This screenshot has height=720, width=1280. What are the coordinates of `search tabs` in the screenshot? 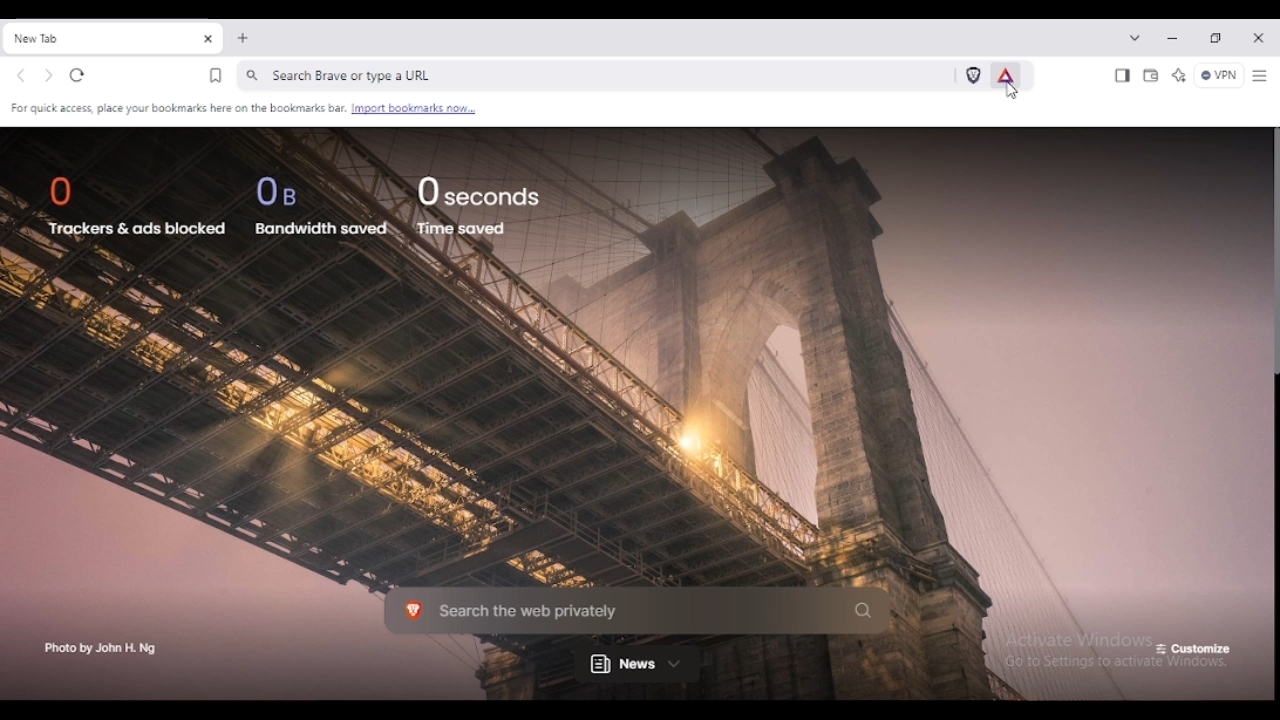 It's located at (1135, 37).